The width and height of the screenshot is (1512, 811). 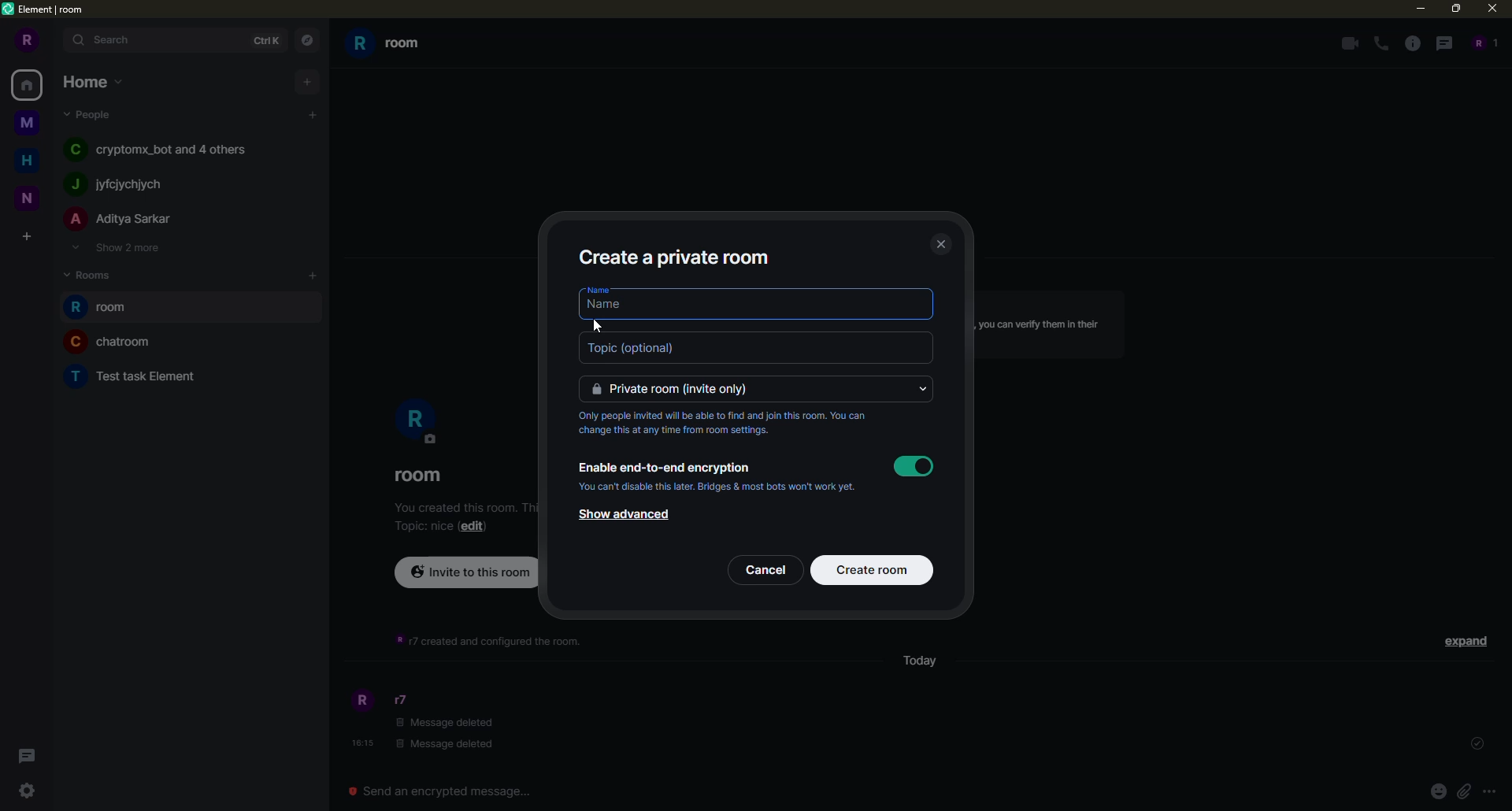 What do you see at coordinates (314, 276) in the screenshot?
I see `add` at bounding box center [314, 276].